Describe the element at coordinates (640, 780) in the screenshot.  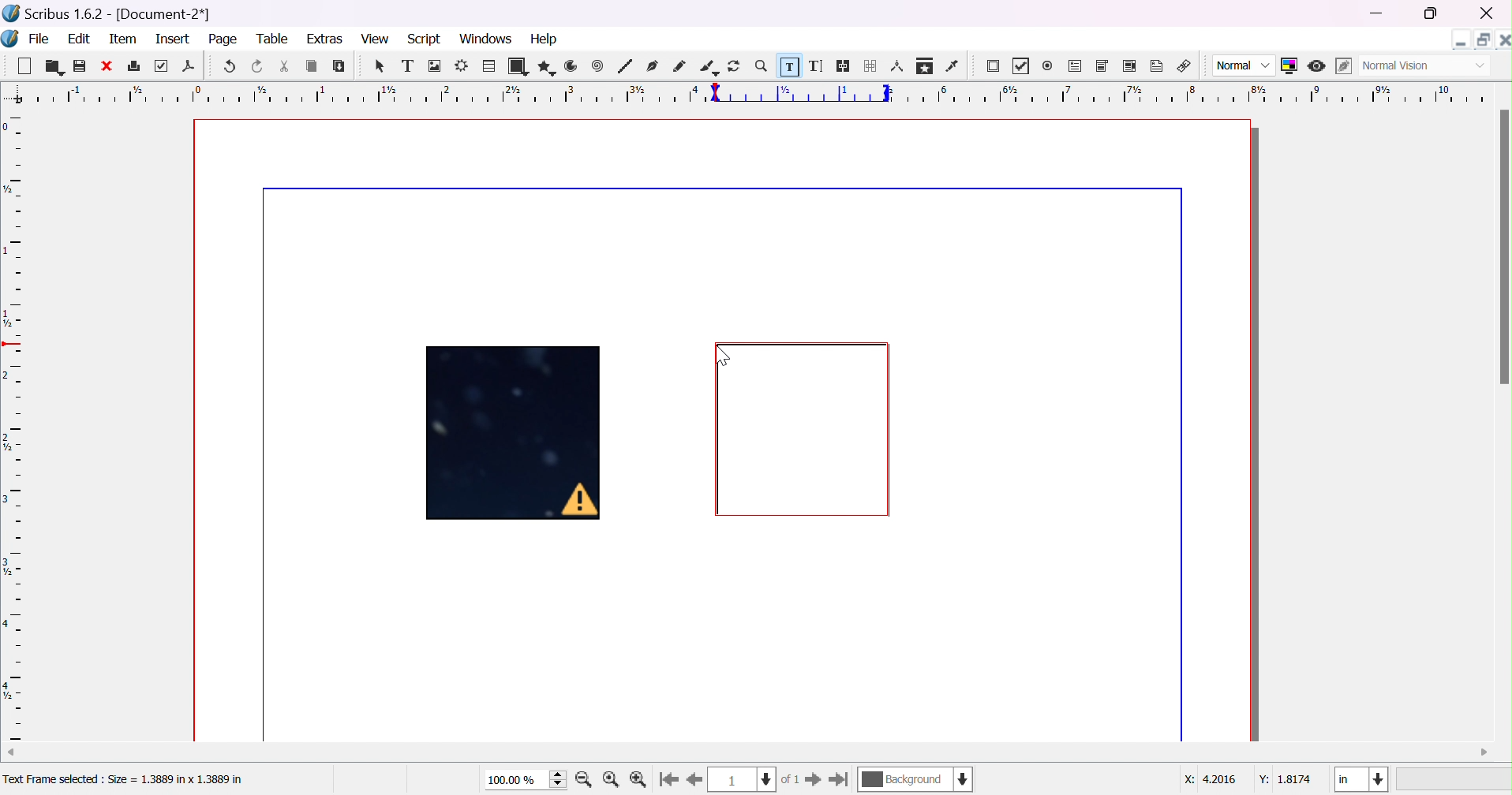
I see `zoom out` at that location.